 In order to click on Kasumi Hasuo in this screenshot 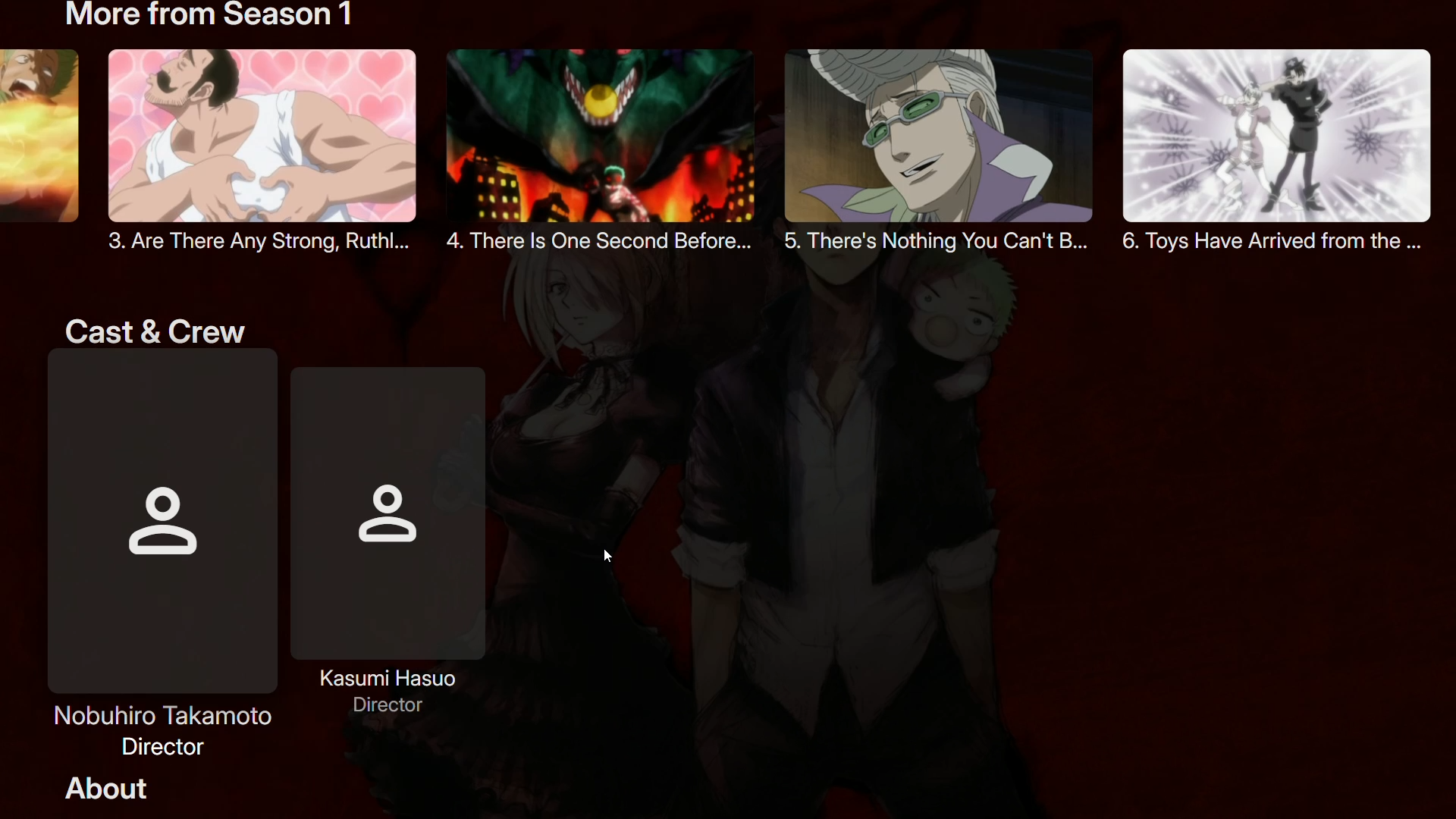, I will do `click(408, 543)`.